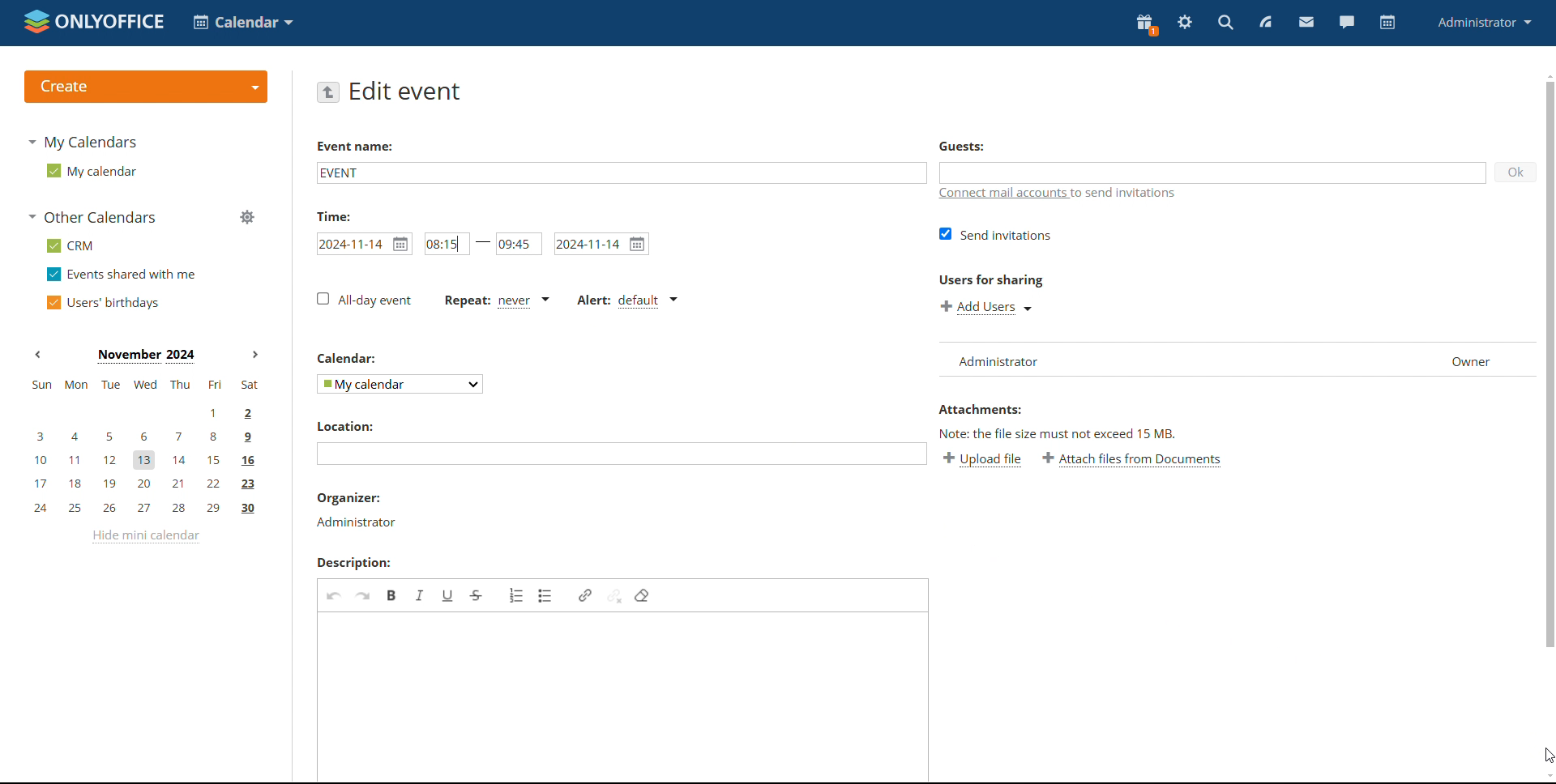 This screenshot has height=784, width=1556. I want to click on start date, so click(364, 244).